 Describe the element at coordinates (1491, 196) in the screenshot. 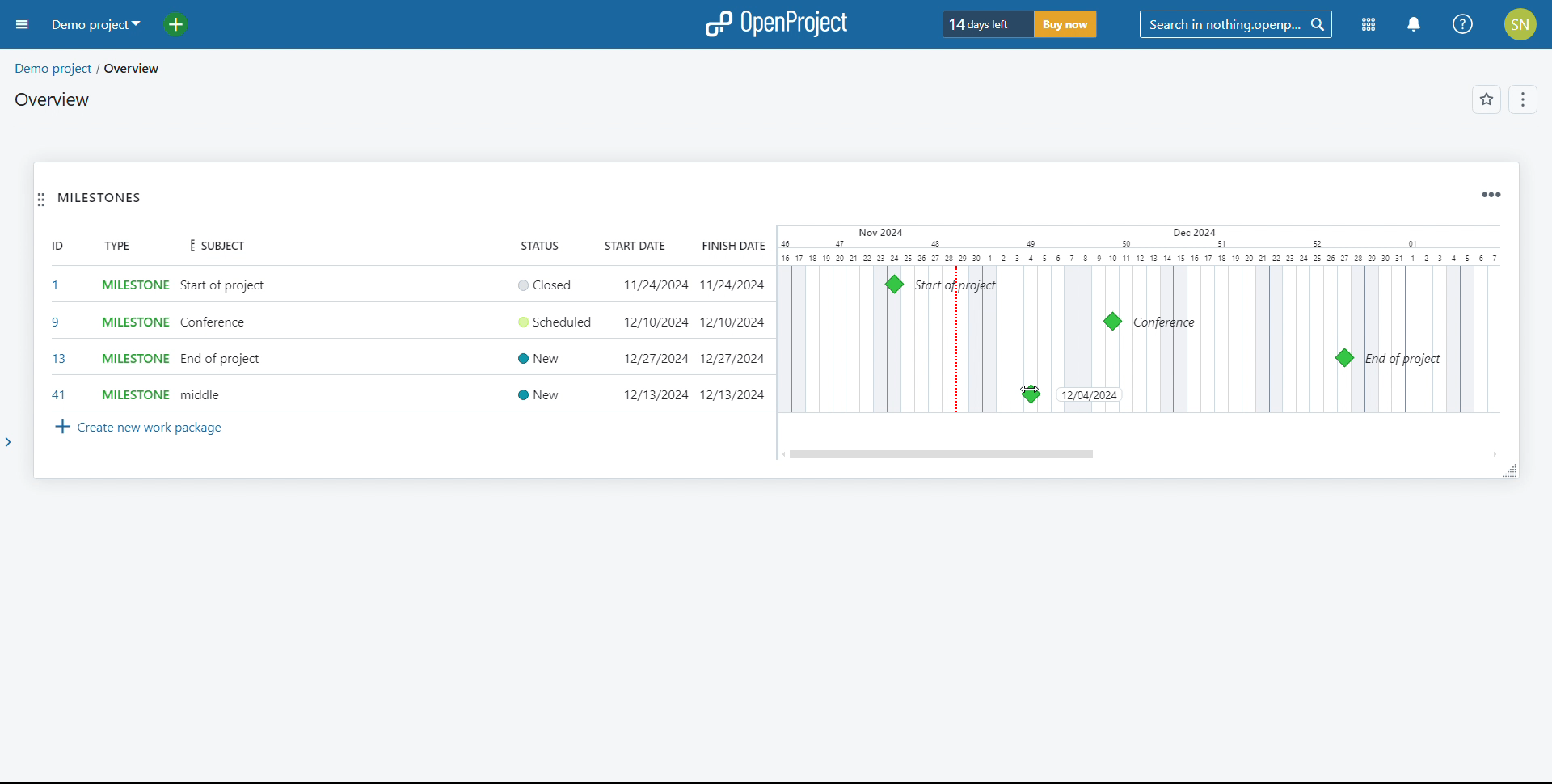

I see `widget options` at that location.